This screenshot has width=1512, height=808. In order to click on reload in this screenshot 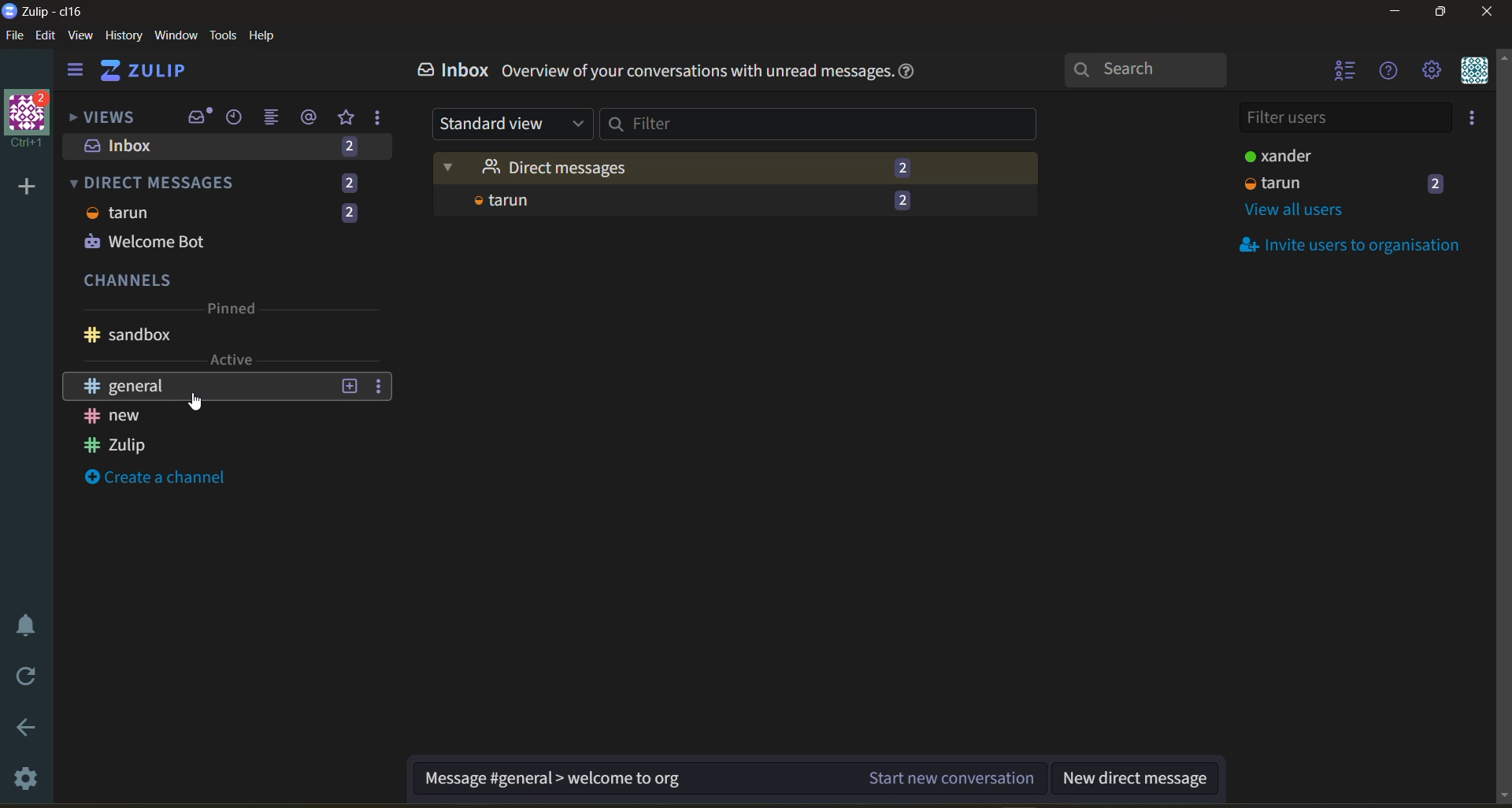, I will do `click(22, 676)`.